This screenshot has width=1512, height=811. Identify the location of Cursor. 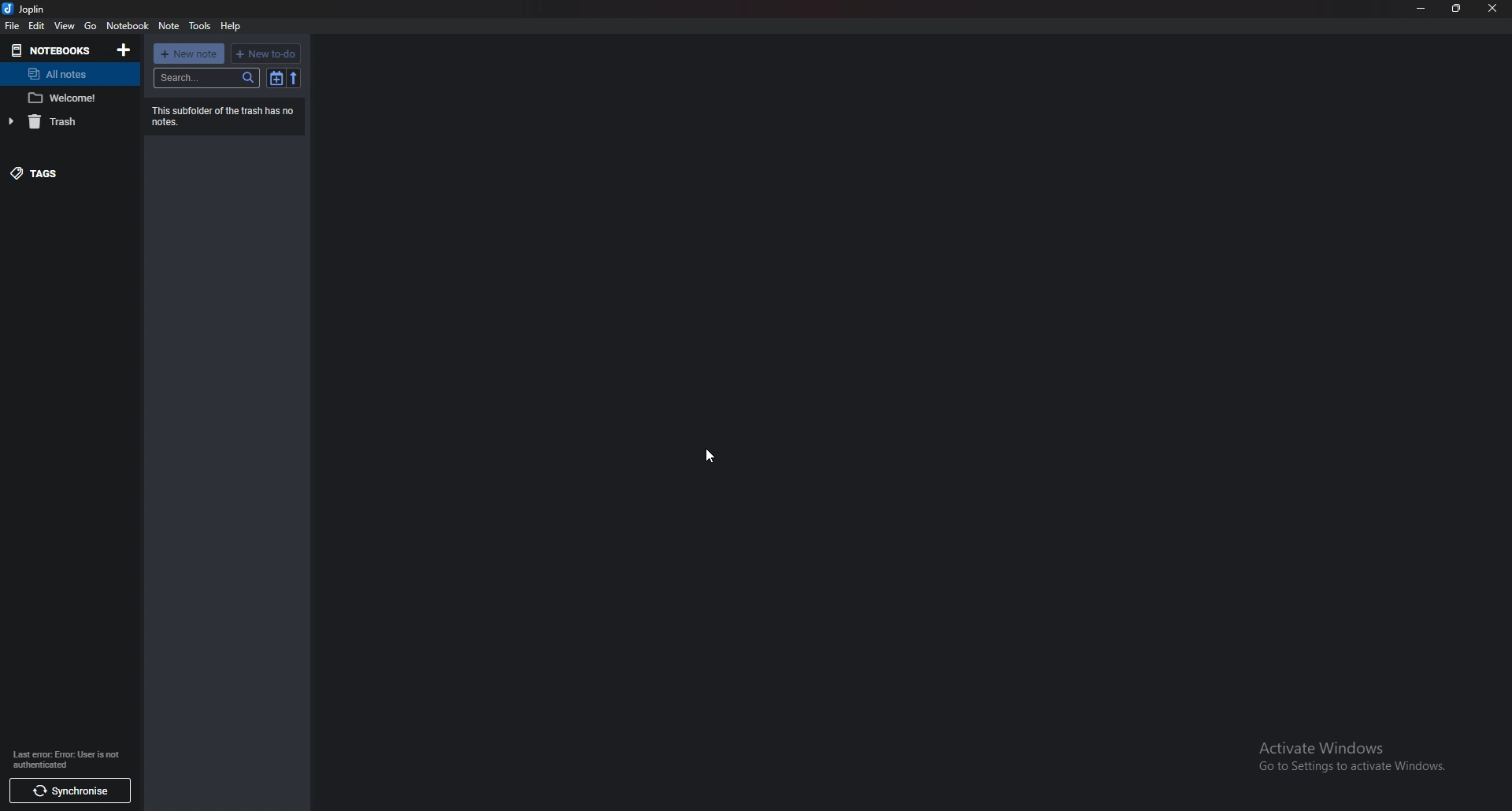
(705, 457).